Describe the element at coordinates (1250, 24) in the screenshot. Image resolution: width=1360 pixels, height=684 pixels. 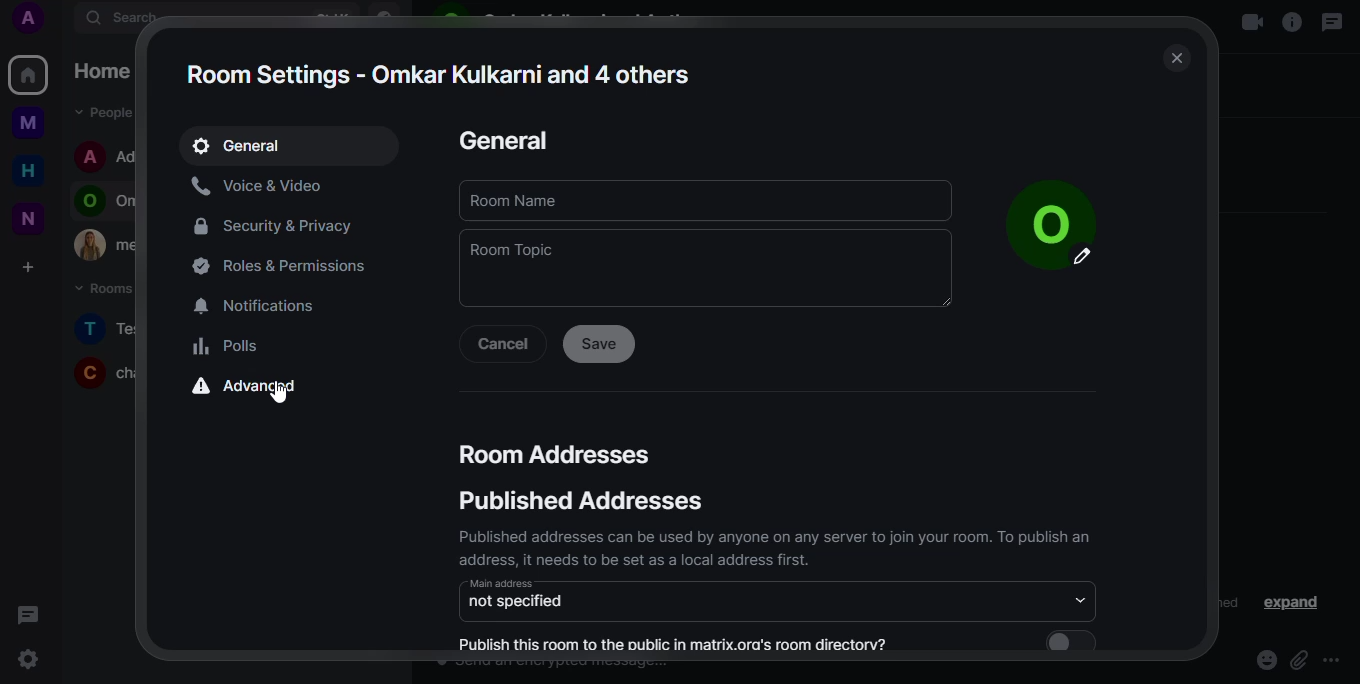
I see `video call` at that location.